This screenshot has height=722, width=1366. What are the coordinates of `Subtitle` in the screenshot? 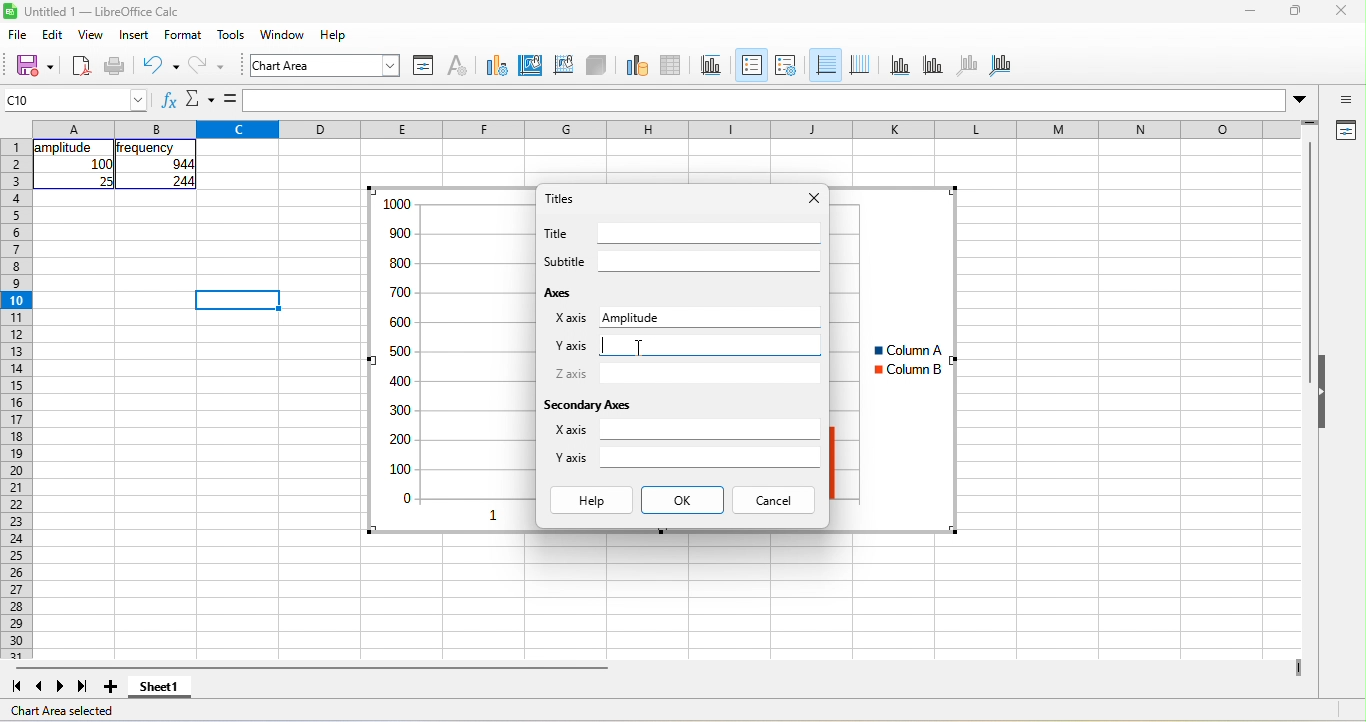 It's located at (565, 261).